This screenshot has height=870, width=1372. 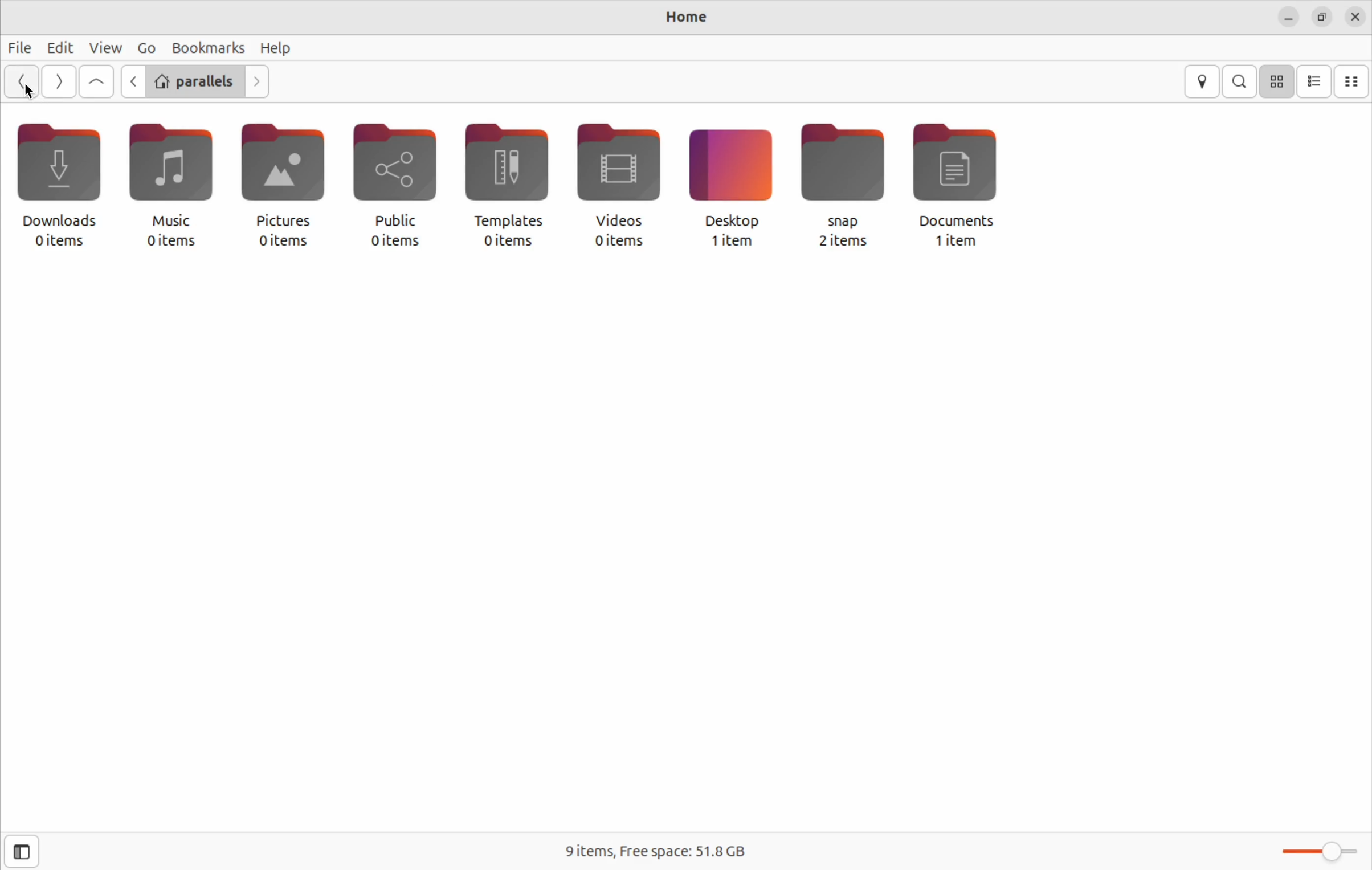 What do you see at coordinates (257, 81) in the screenshot?
I see `next` at bounding box center [257, 81].